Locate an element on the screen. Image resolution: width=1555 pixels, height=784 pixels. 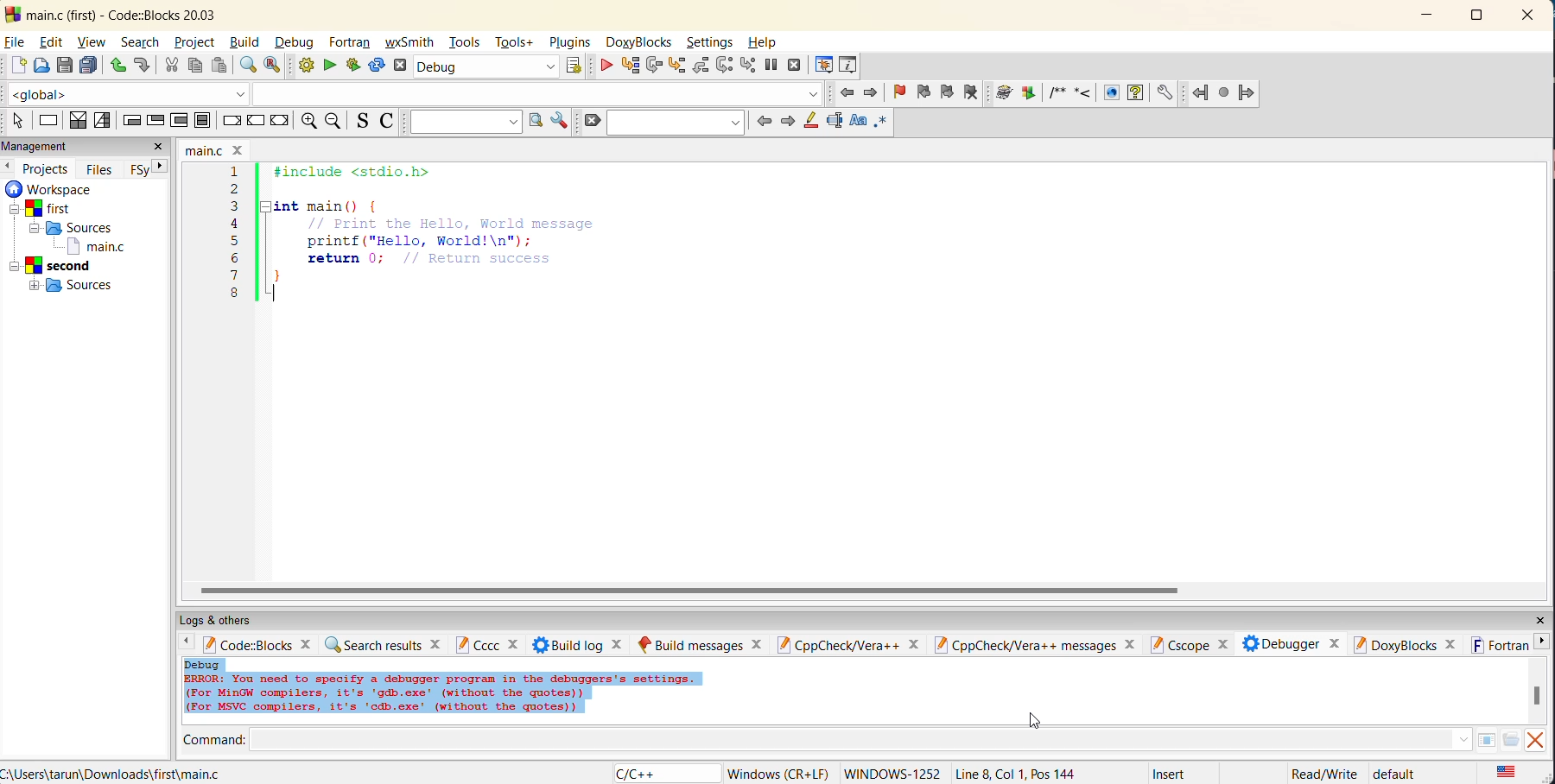
Insert comment block is located at coordinates (1054, 97).